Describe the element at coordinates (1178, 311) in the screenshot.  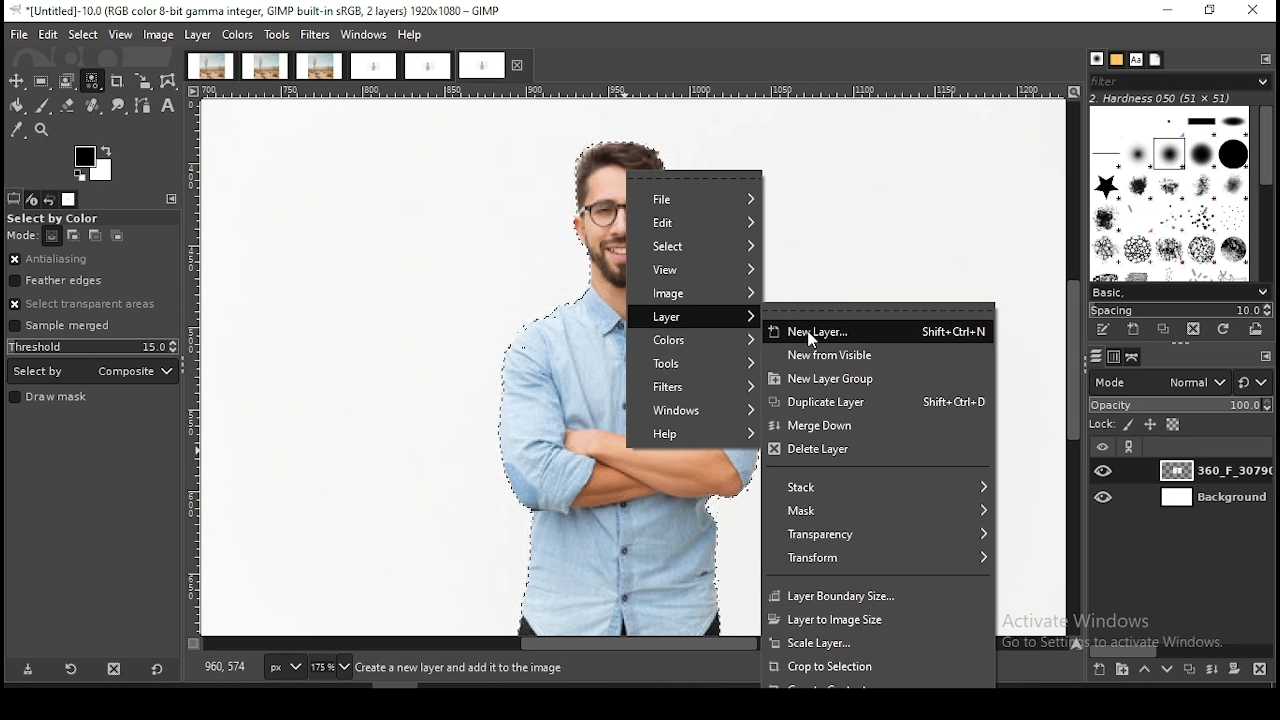
I see `spacing` at that location.